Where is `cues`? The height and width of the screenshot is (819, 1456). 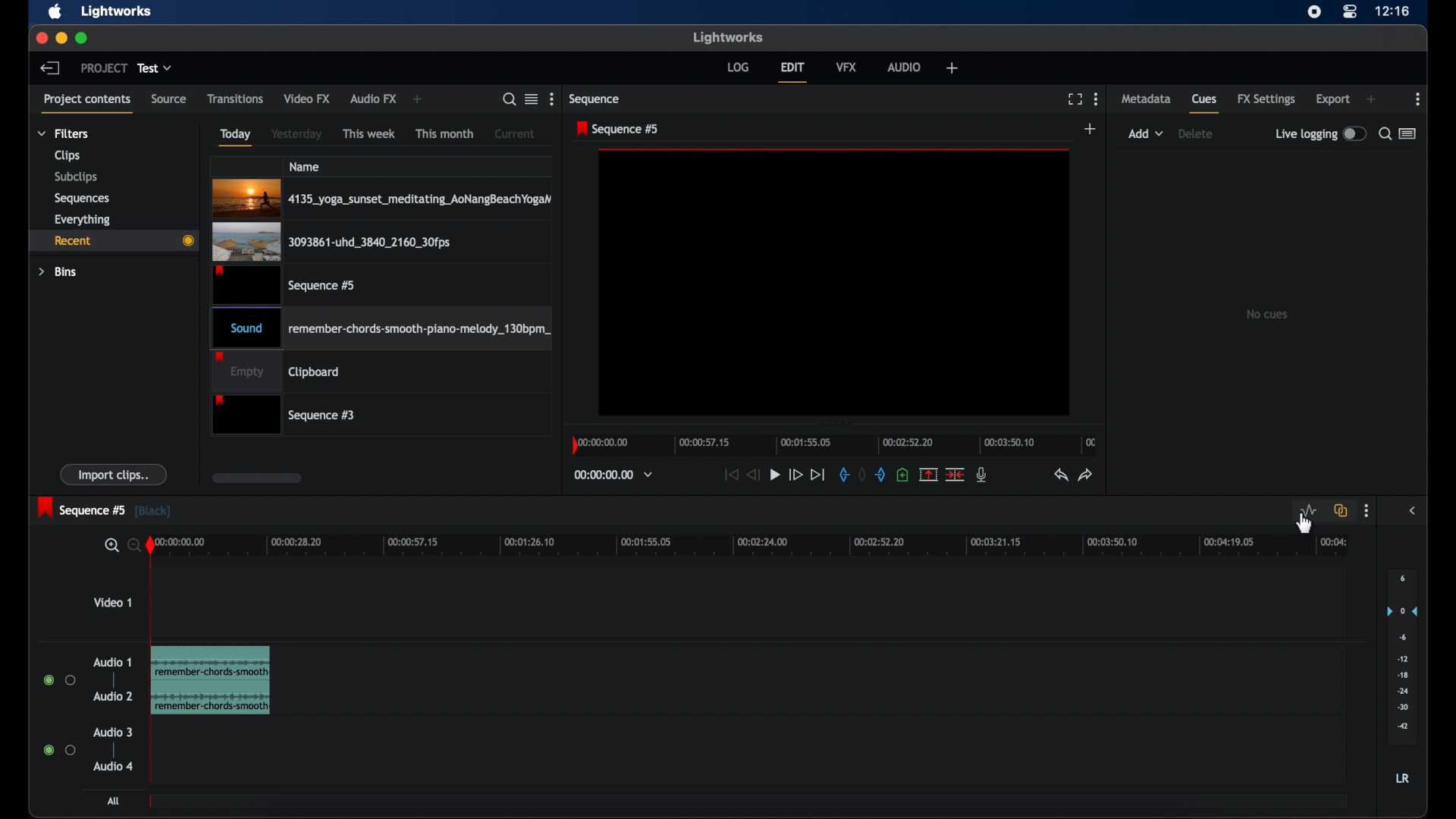
cues is located at coordinates (1206, 105).